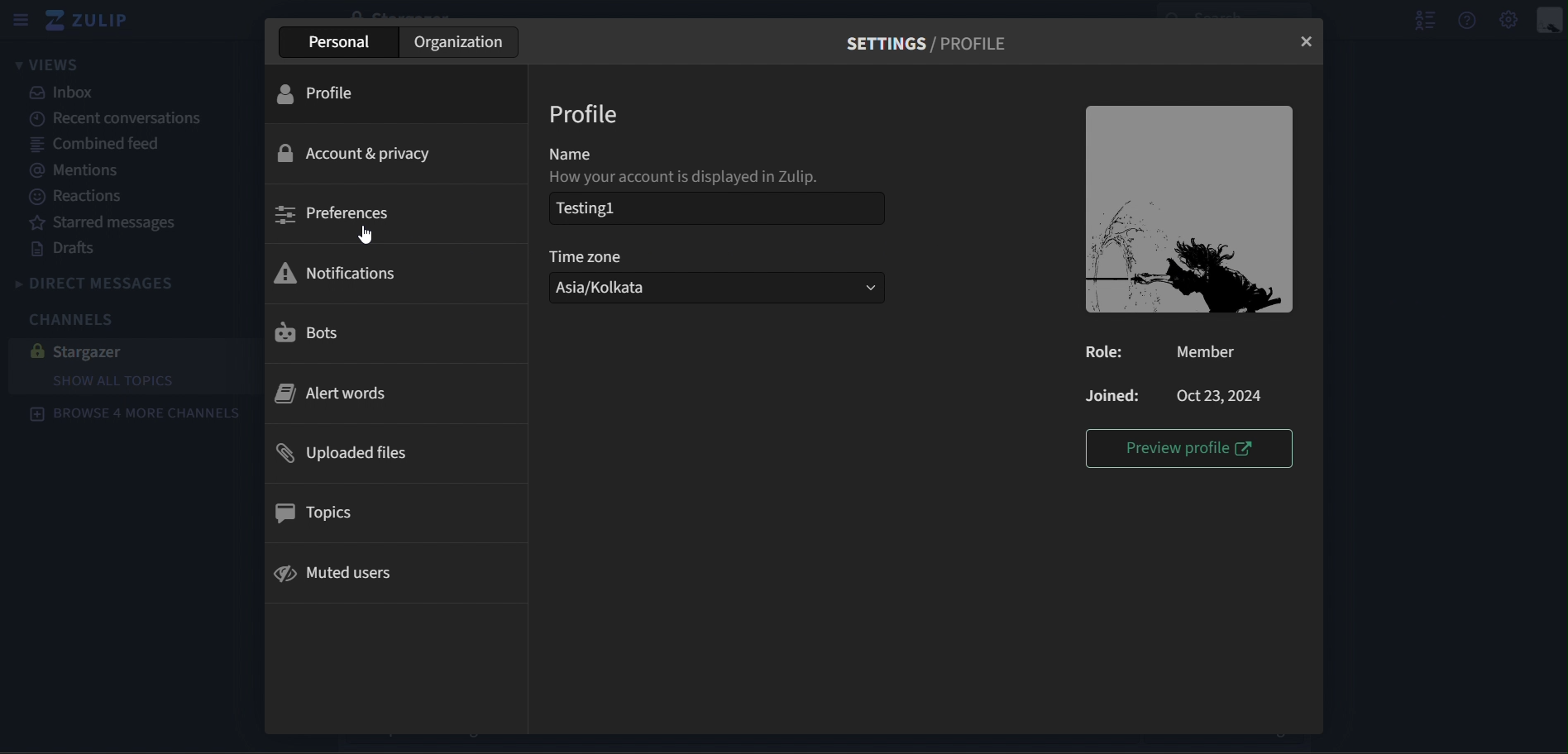  Describe the element at coordinates (1111, 395) in the screenshot. I see `Joined:` at that location.